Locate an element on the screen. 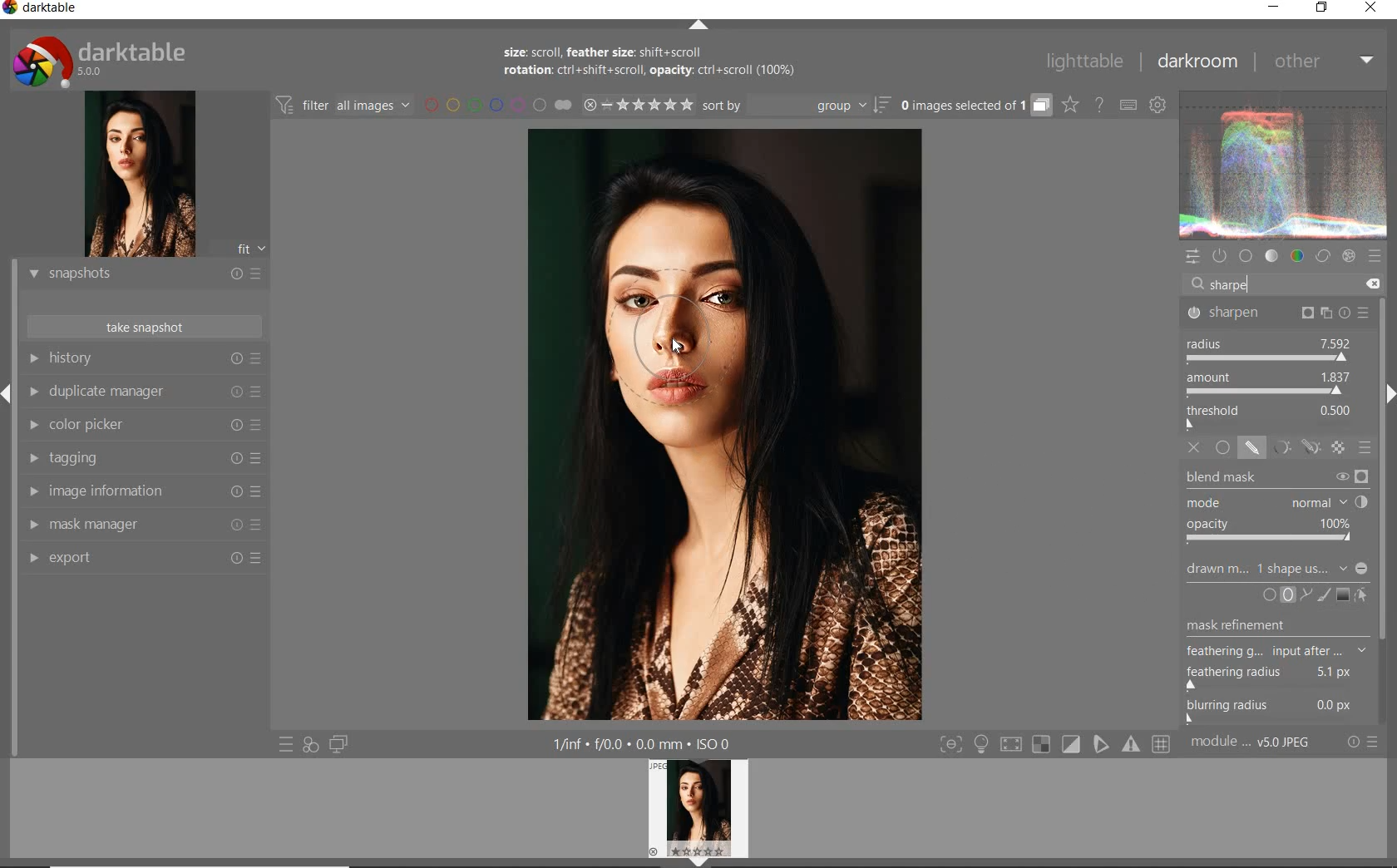  ADD PATH is located at coordinates (1304, 594).